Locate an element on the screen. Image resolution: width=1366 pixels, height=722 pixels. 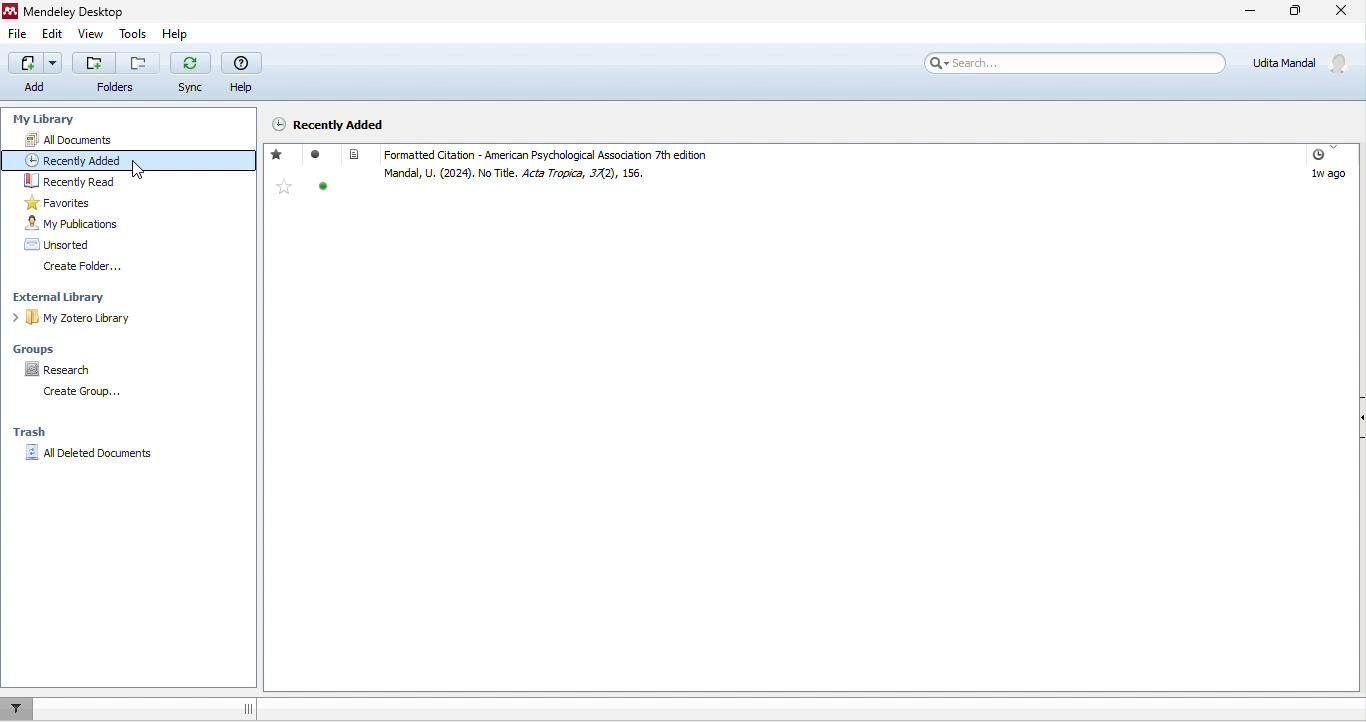
tools is located at coordinates (134, 34).